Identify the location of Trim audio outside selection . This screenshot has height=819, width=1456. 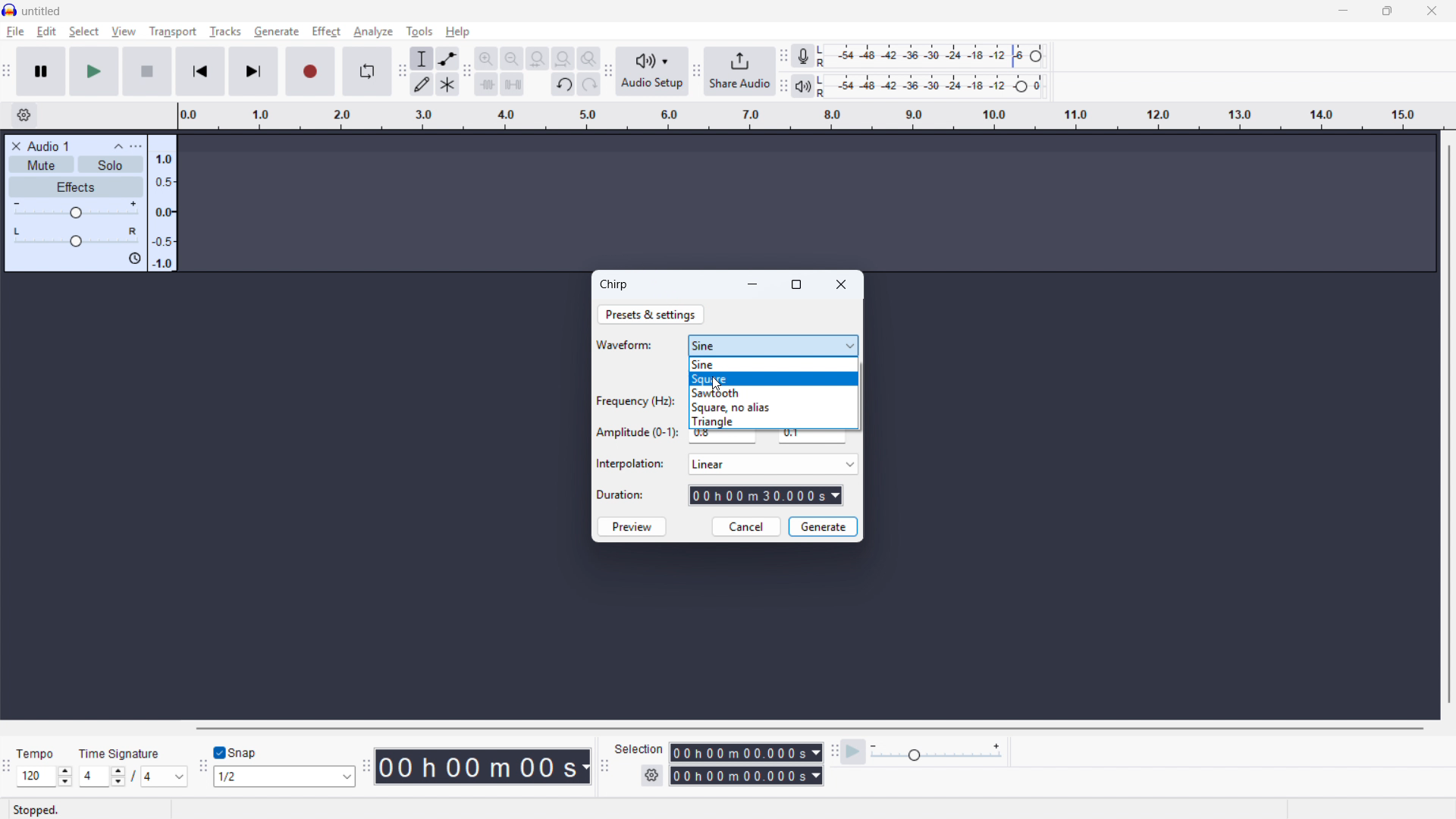
(487, 83).